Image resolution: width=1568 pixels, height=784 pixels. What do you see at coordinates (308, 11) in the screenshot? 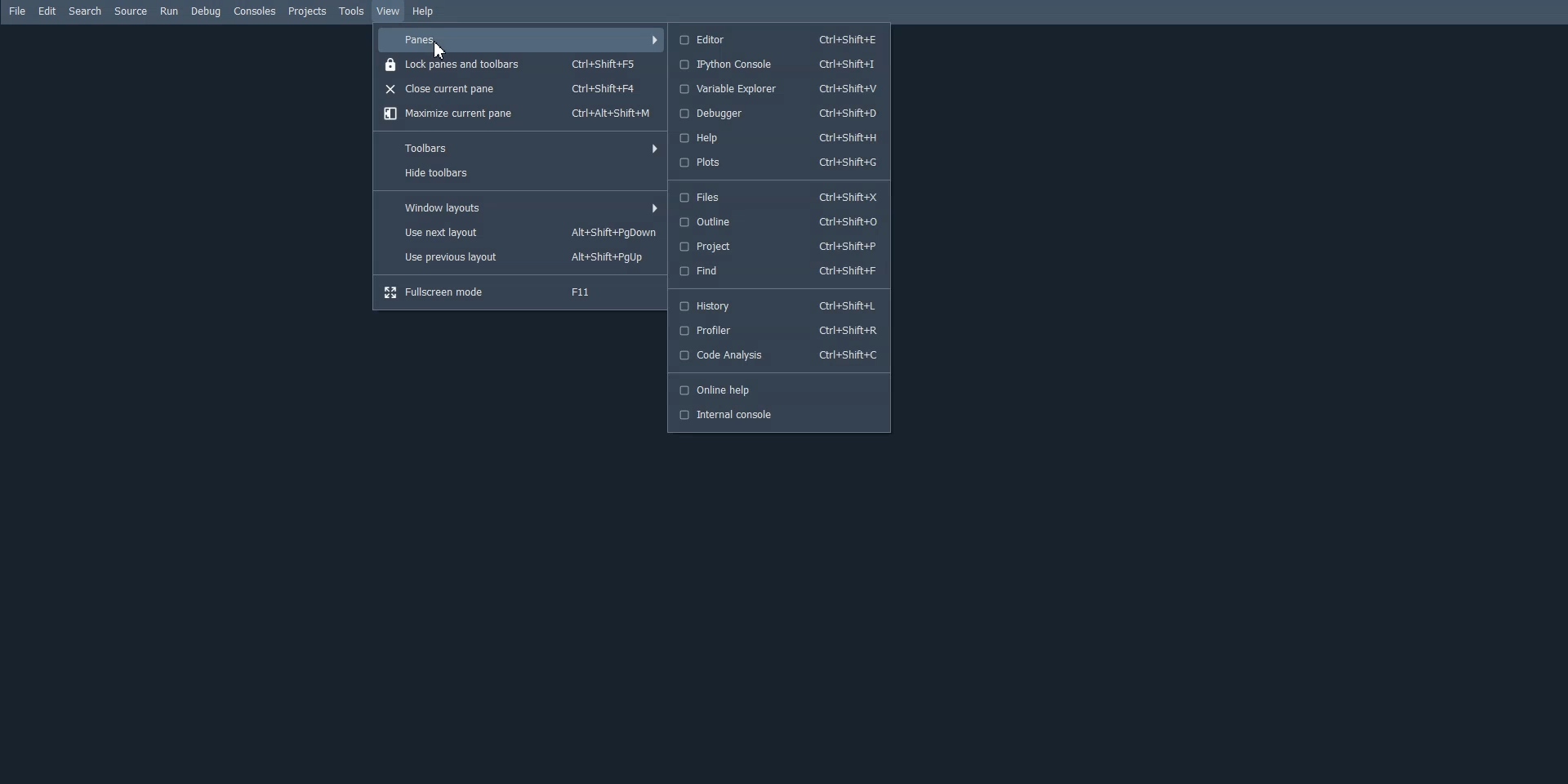
I see `Projects` at bounding box center [308, 11].